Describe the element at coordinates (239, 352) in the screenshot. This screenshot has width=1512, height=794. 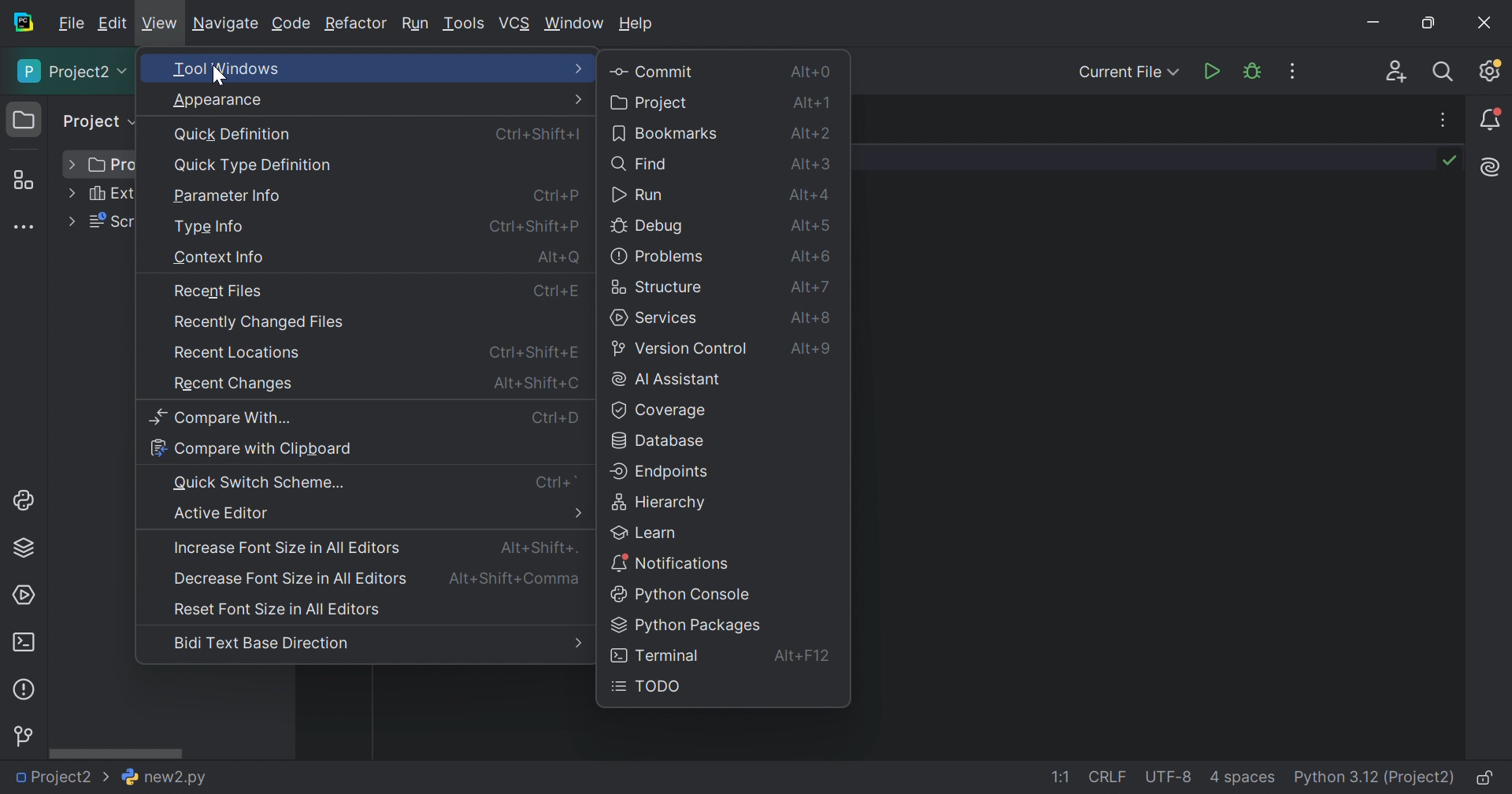
I see `Recent locations` at that location.